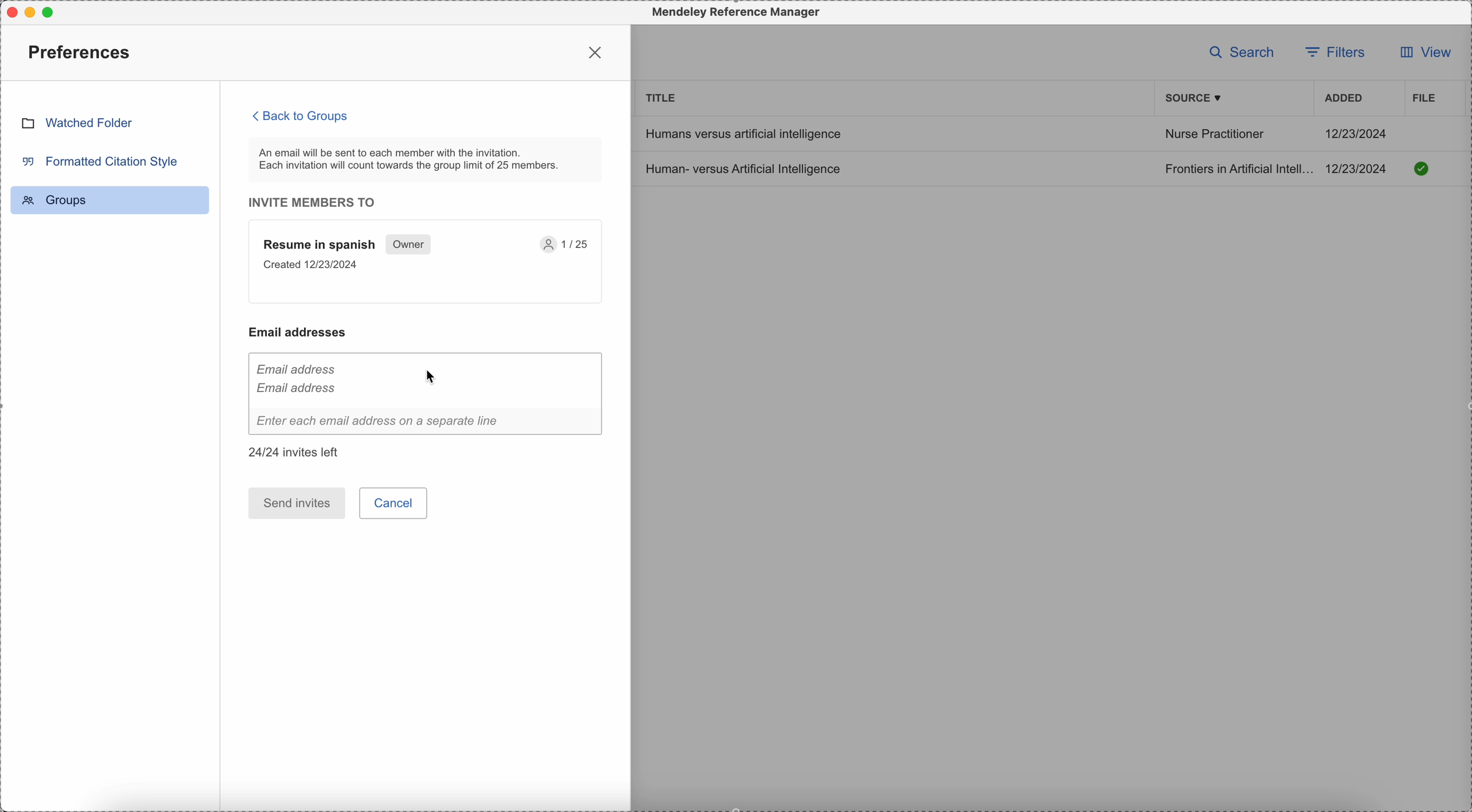 This screenshot has height=812, width=1472. Describe the element at coordinates (662, 97) in the screenshot. I see `title` at that location.